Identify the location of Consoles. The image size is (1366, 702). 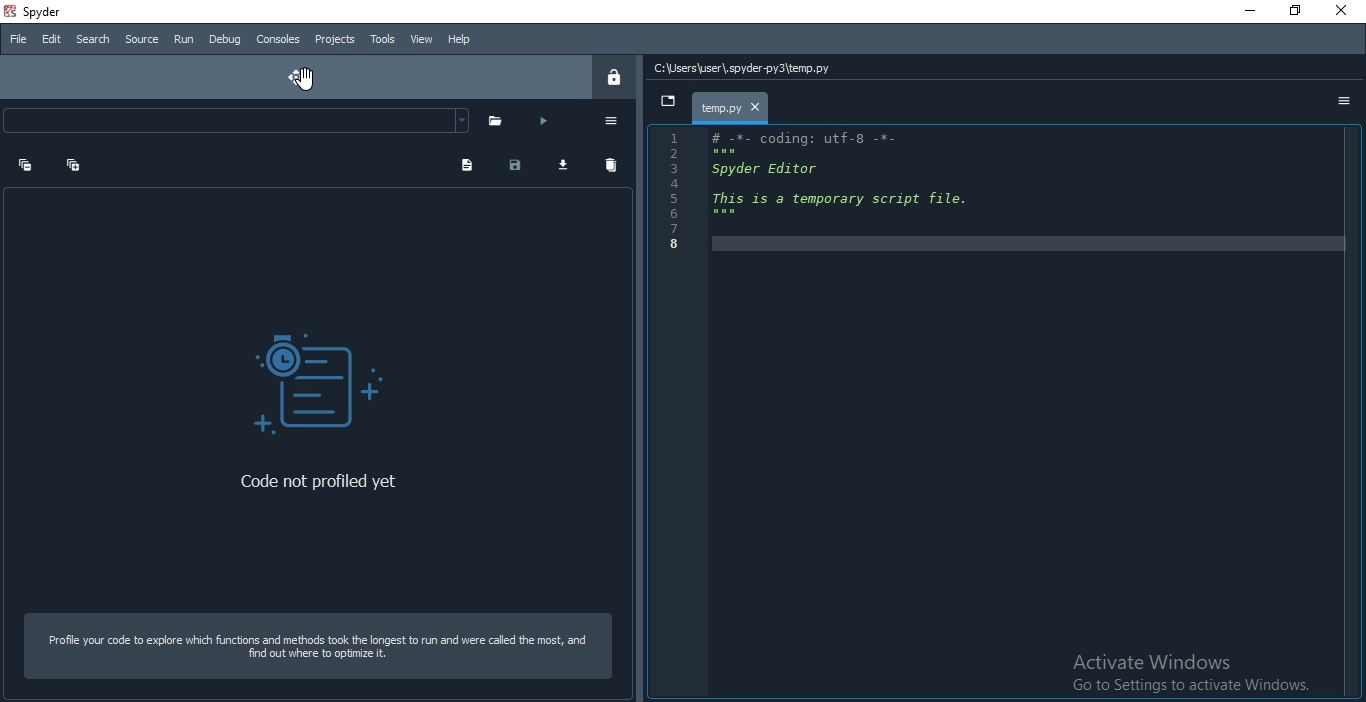
(277, 40).